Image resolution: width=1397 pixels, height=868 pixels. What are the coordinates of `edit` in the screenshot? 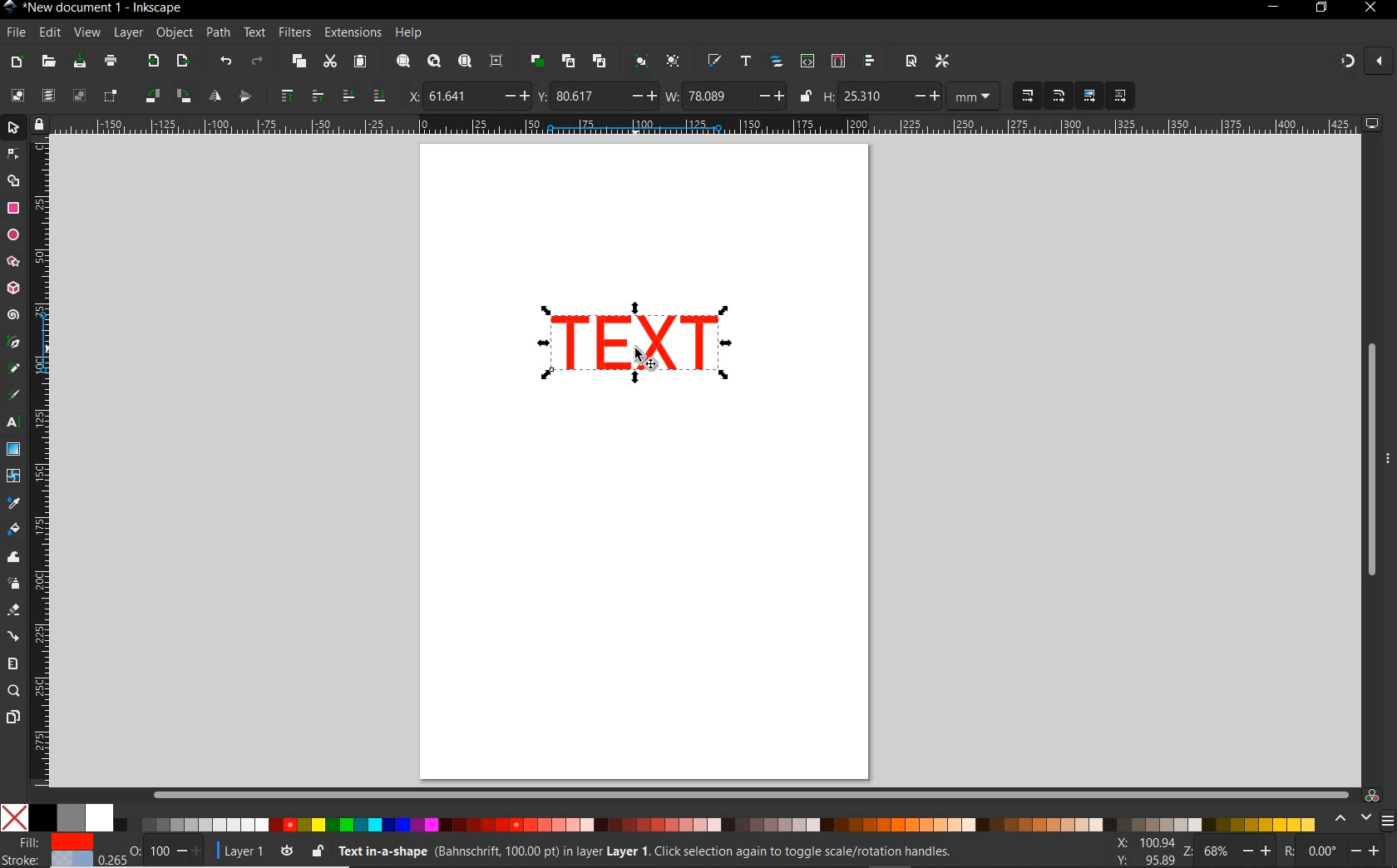 It's located at (49, 32).